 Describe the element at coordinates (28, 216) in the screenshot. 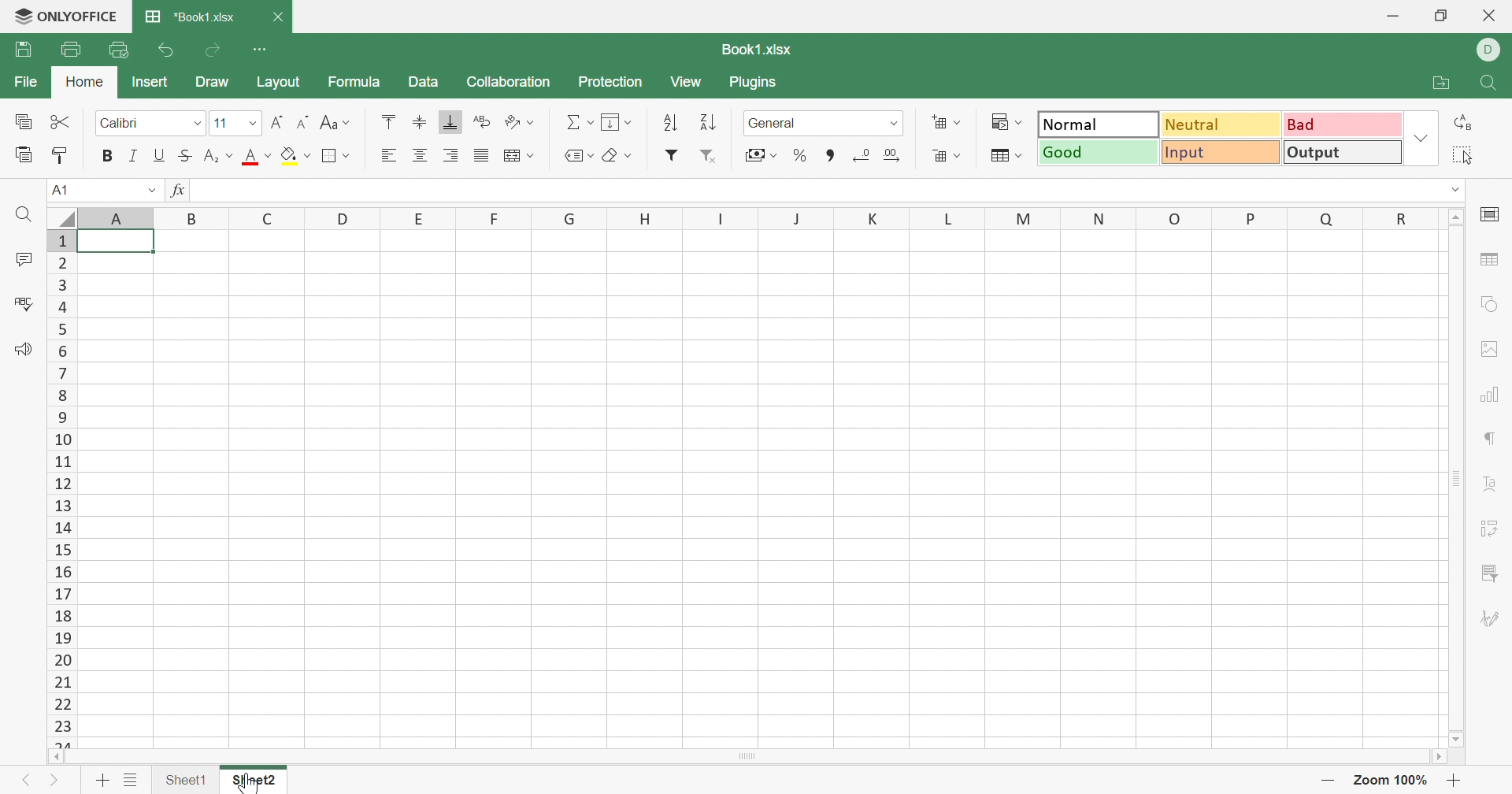

I see `Find` at that location.